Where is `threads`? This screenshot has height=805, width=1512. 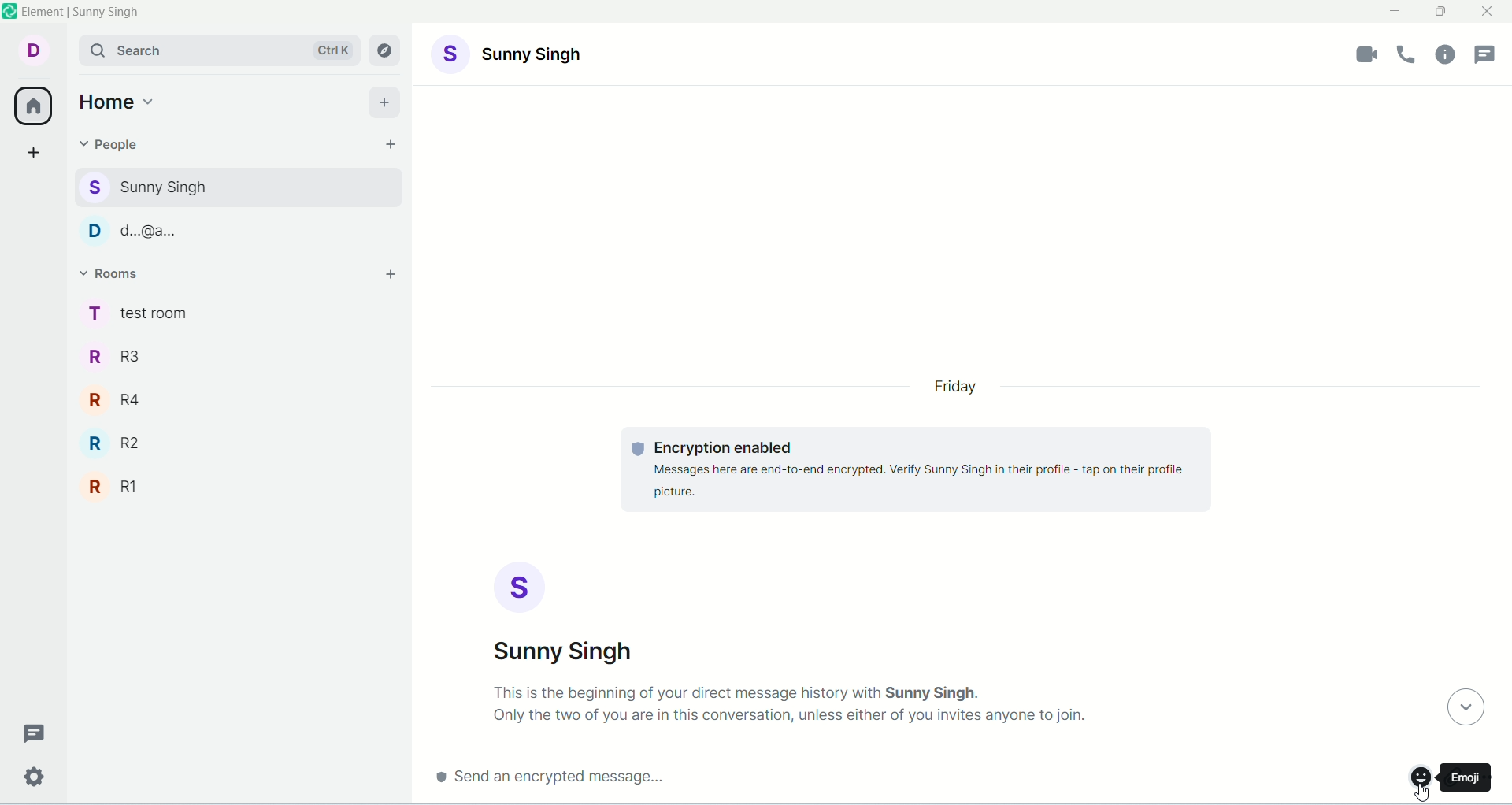 threads is located at coordinates (29, 733).